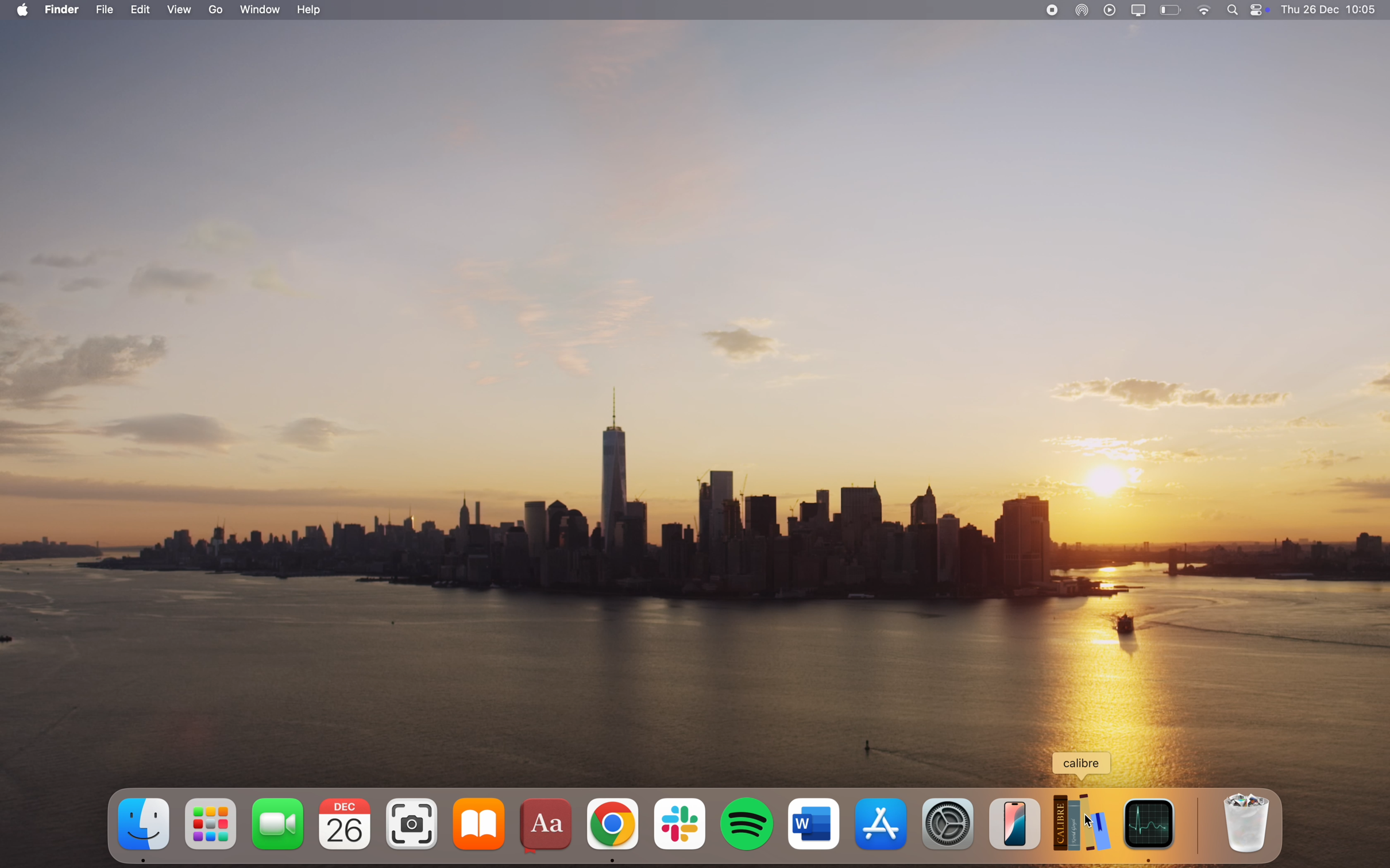  Describe the element at coordinates (217, 9) in the screenshot. I see `go` at that location.